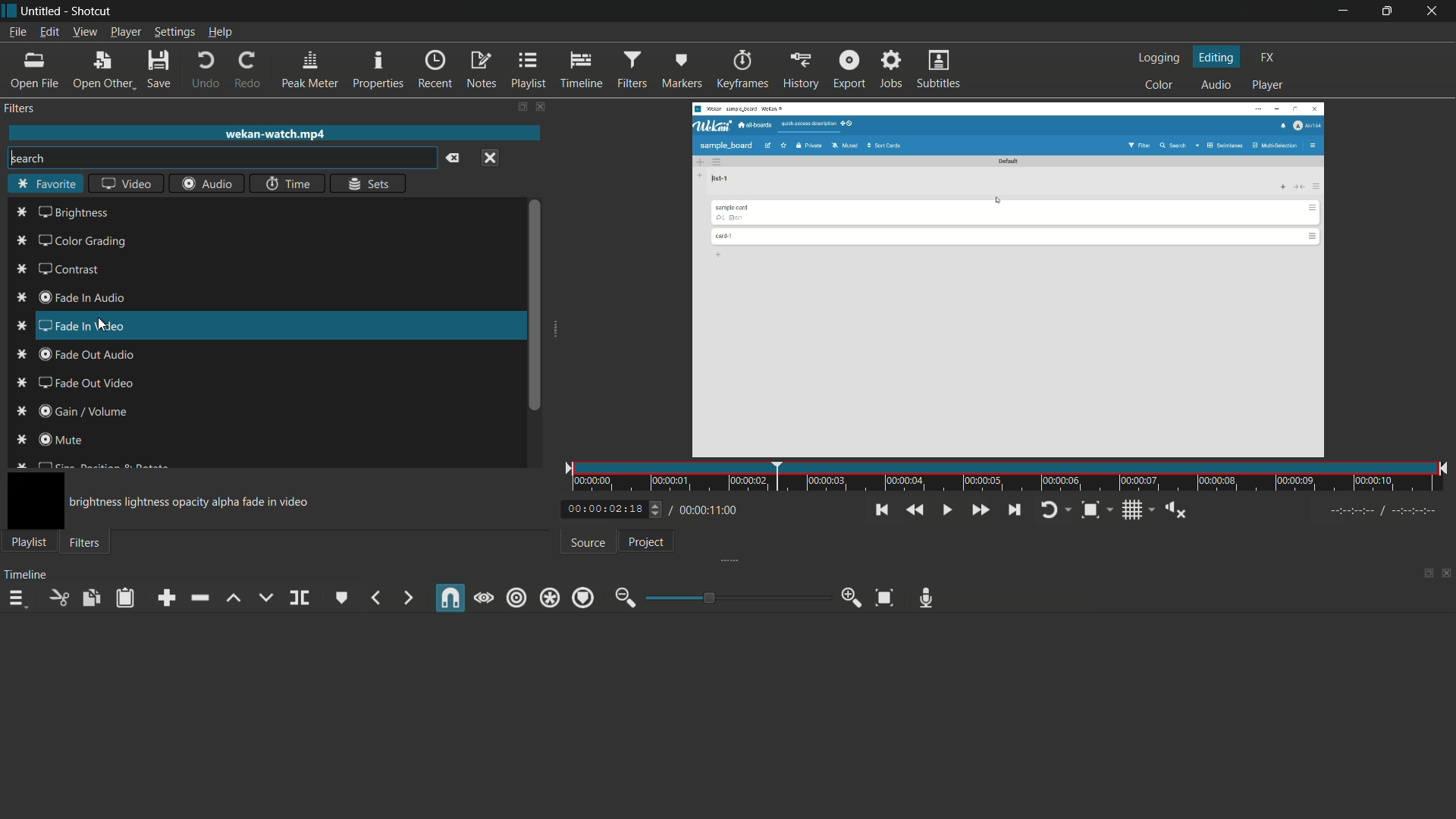  What do you see at coordinates (265, 597) in the screenshot?
I see `overwrite` at bounding box center [265, 597].